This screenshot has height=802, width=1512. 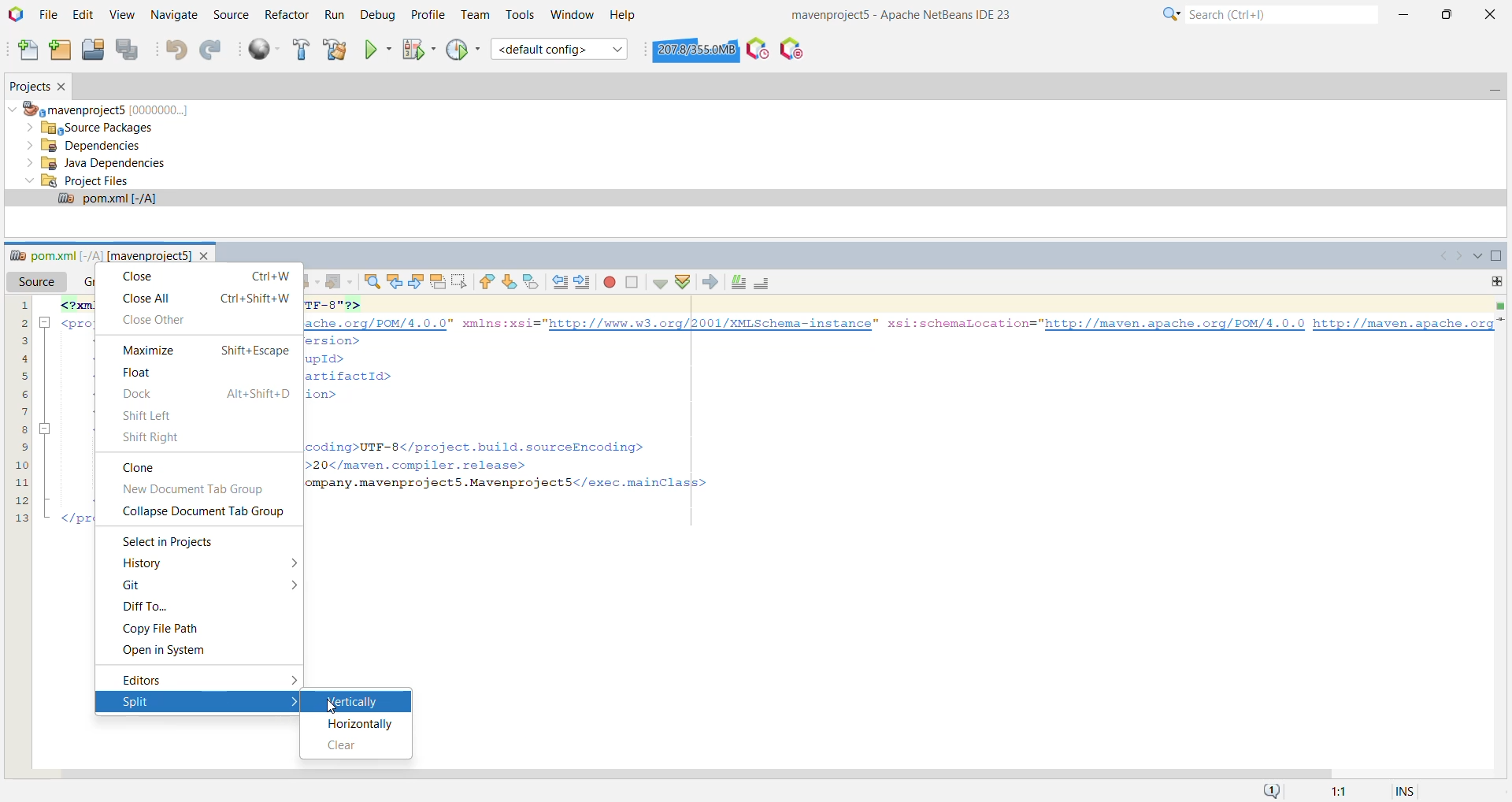 I want to click on Click to force garbage collection, so click(x=696, y=49).